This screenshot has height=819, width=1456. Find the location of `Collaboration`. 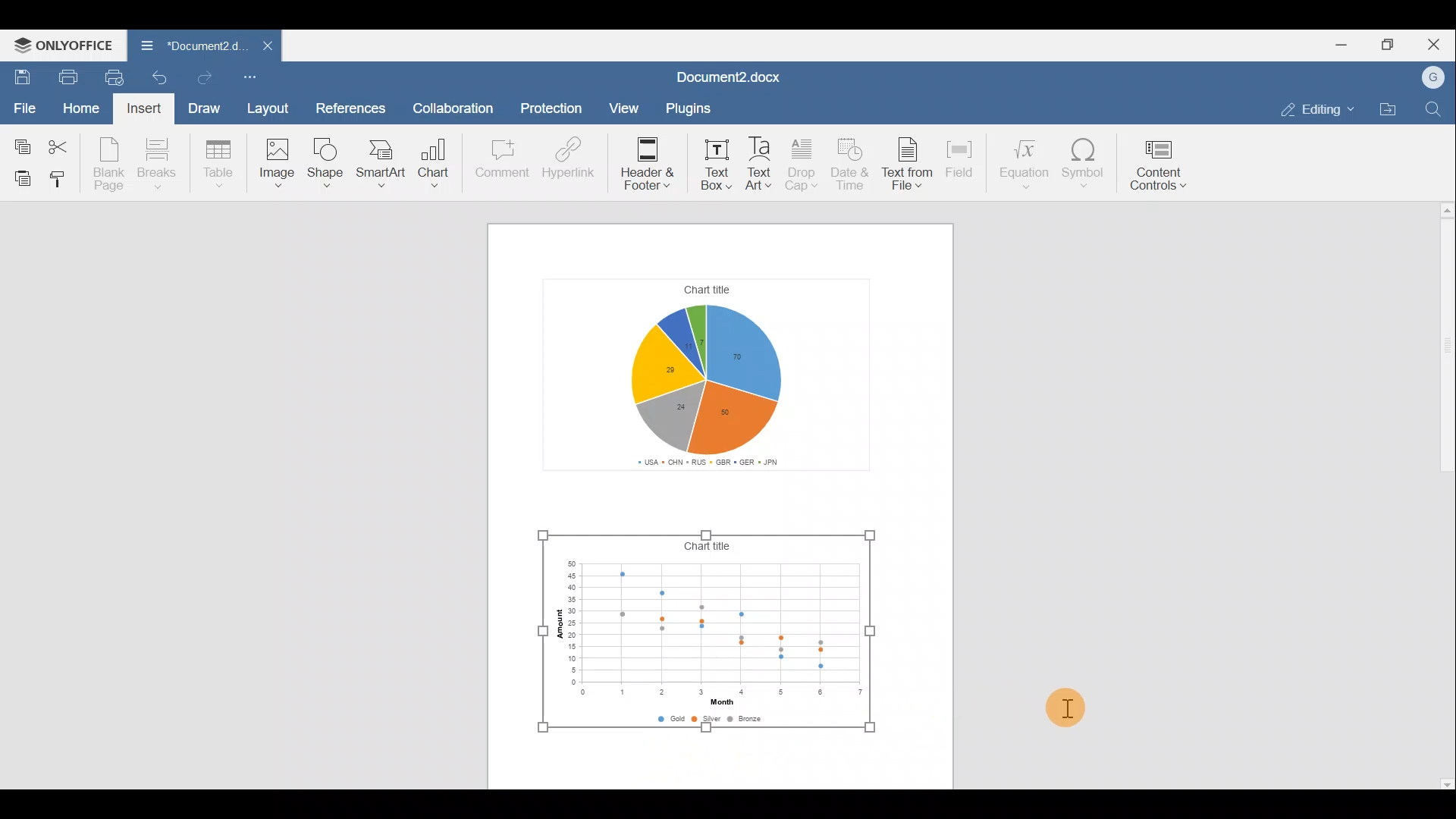

Collaboration is located at coordinates (459, 104).